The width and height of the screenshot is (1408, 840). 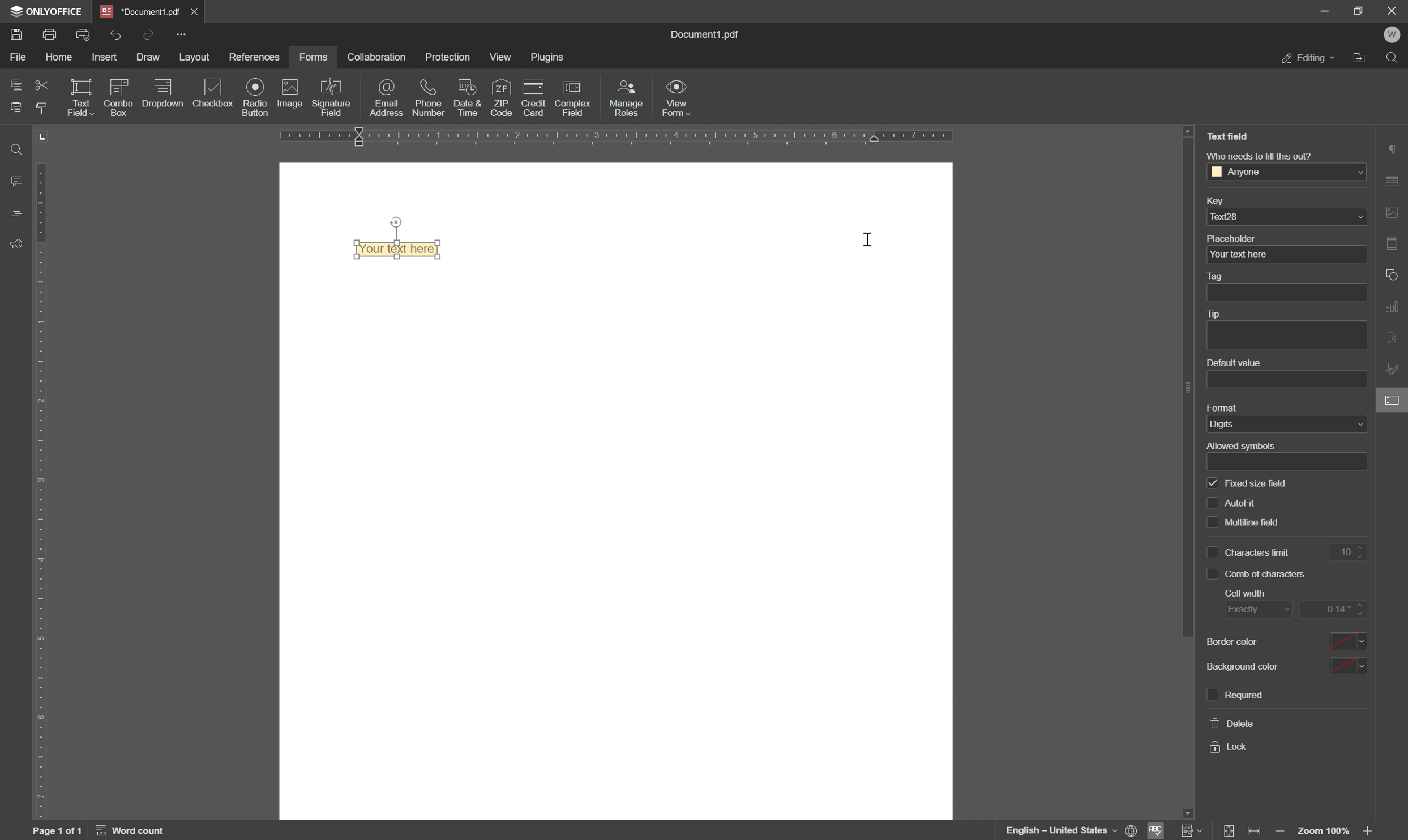 I want to click on form settings, so click(x=1392, y=399).